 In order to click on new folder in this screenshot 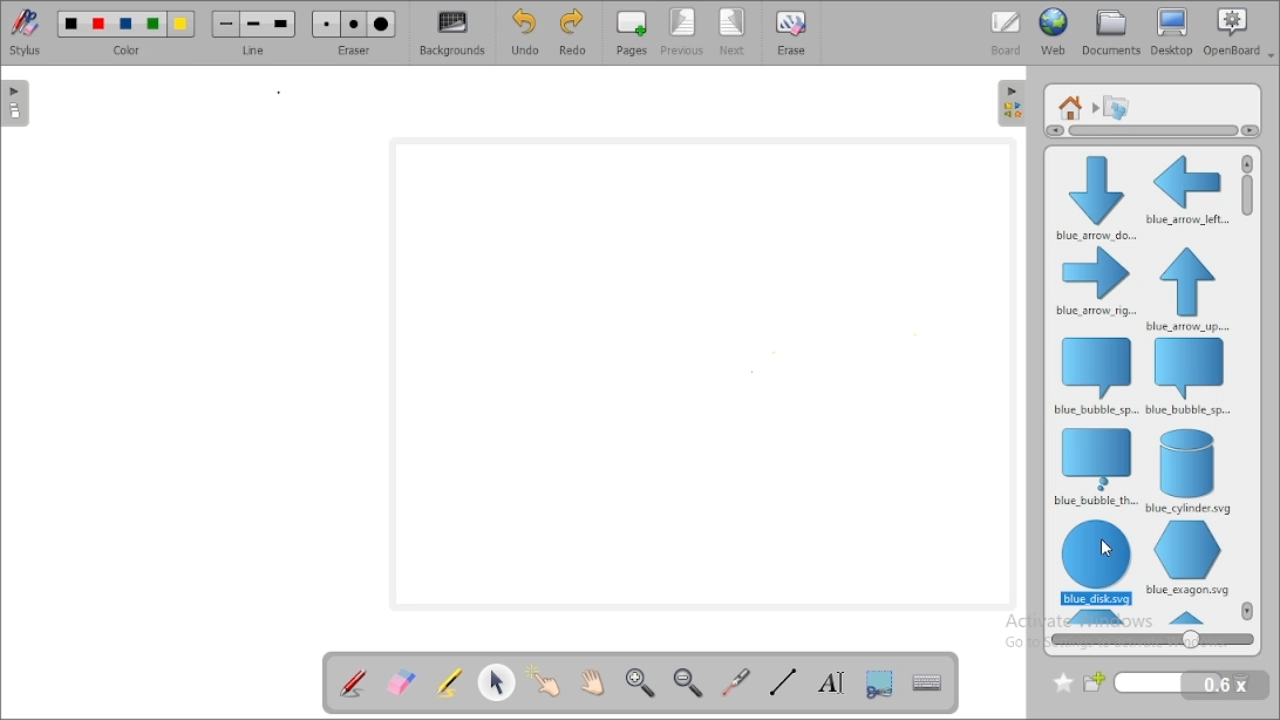, I will do `click(1154, 683)`.